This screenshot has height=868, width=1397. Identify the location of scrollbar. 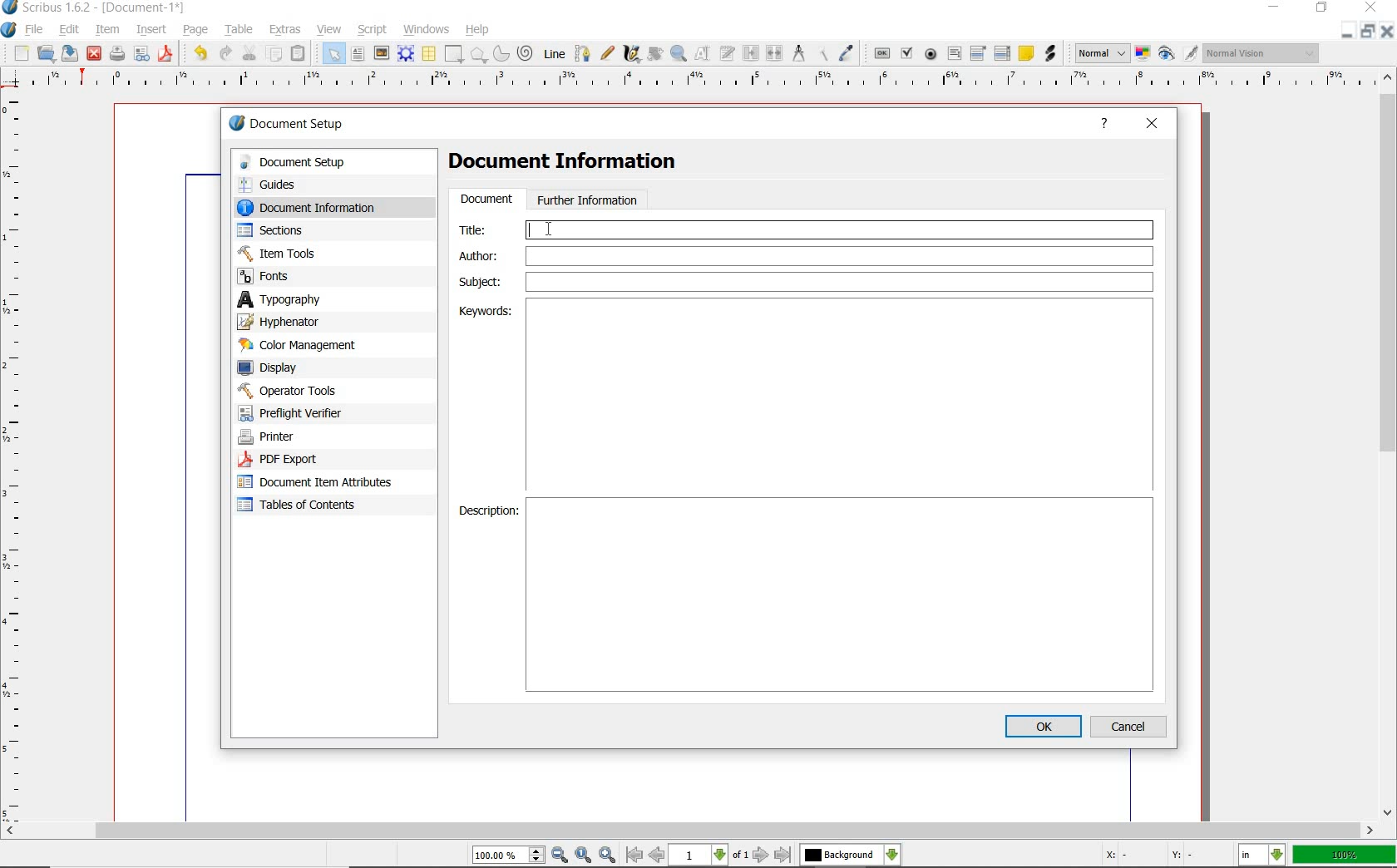
(1389, 446).